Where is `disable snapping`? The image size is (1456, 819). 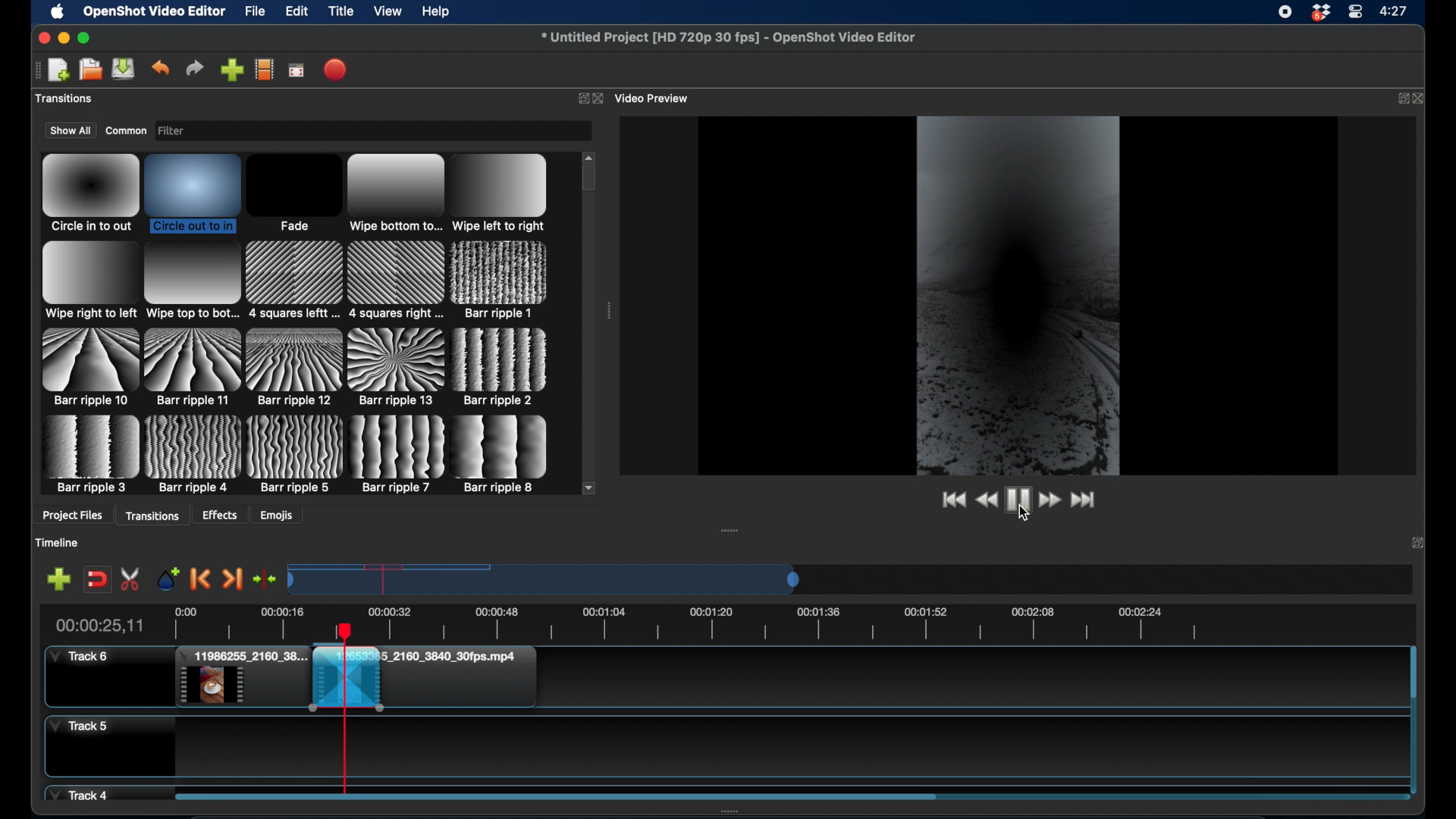 disable snapping is located at coordinates (97, 578).